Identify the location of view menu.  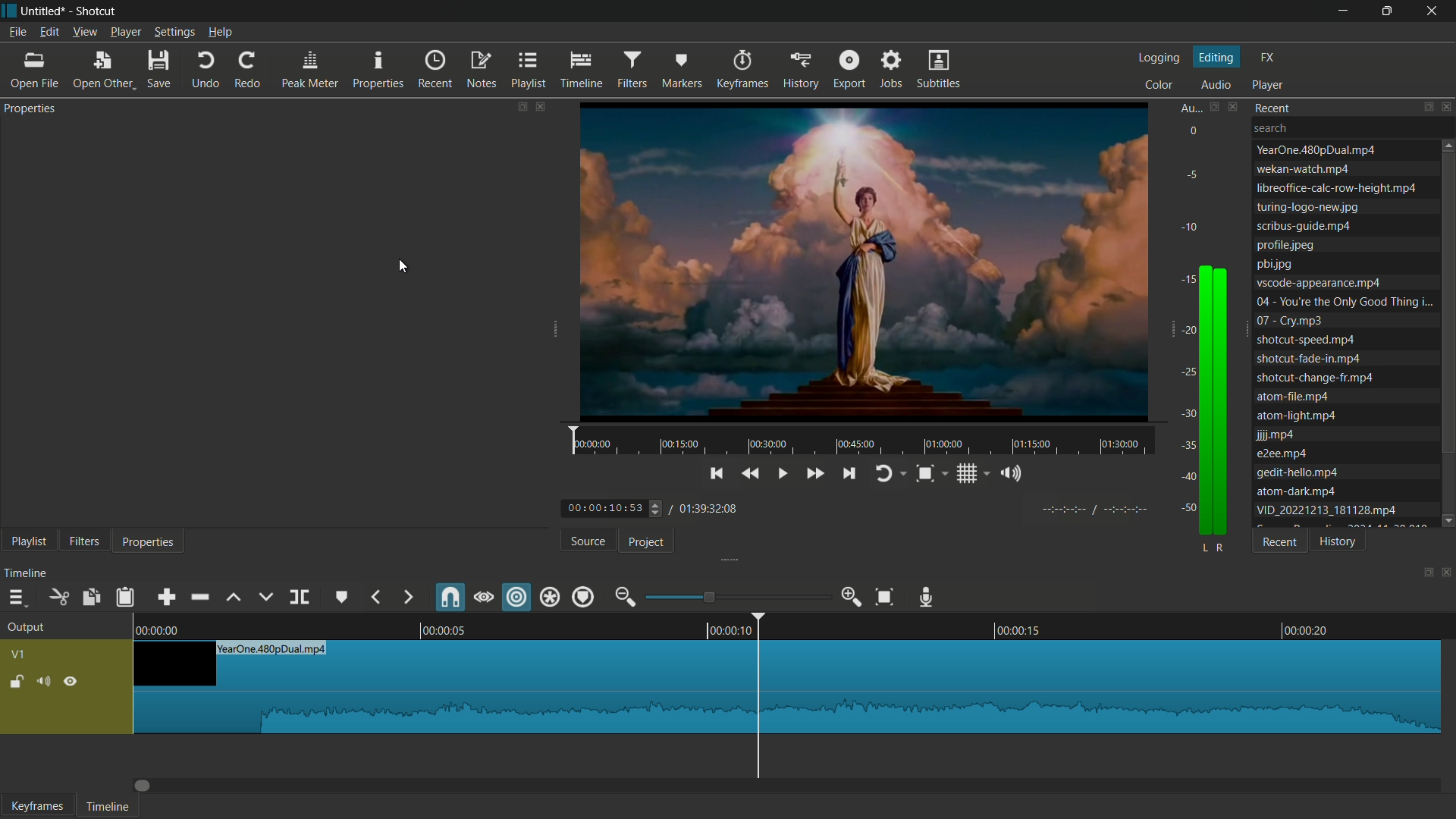
(86, 32).